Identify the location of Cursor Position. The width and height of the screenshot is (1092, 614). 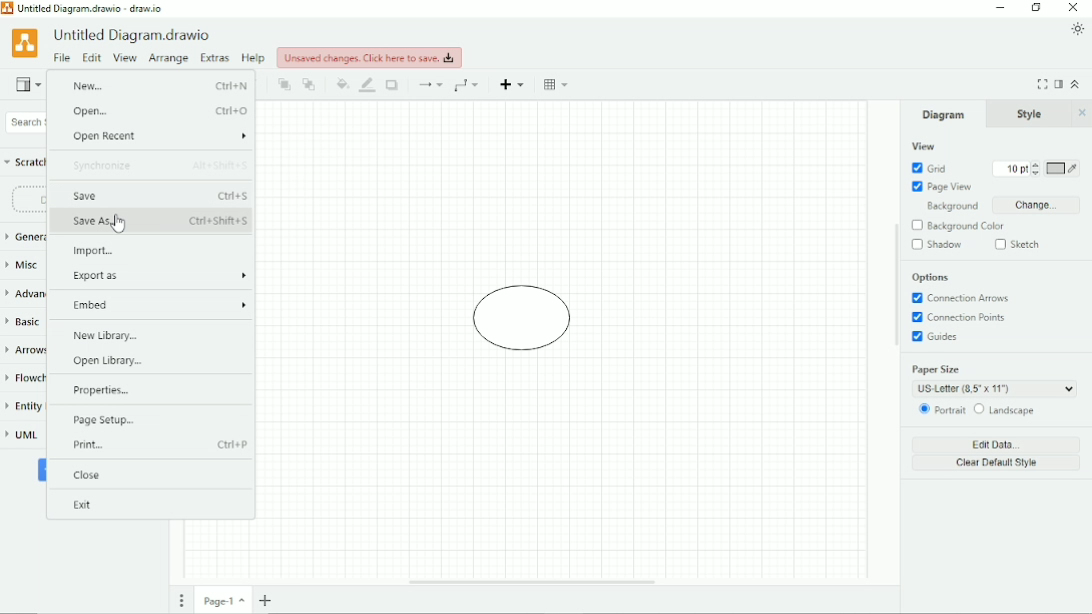
(117, 224).